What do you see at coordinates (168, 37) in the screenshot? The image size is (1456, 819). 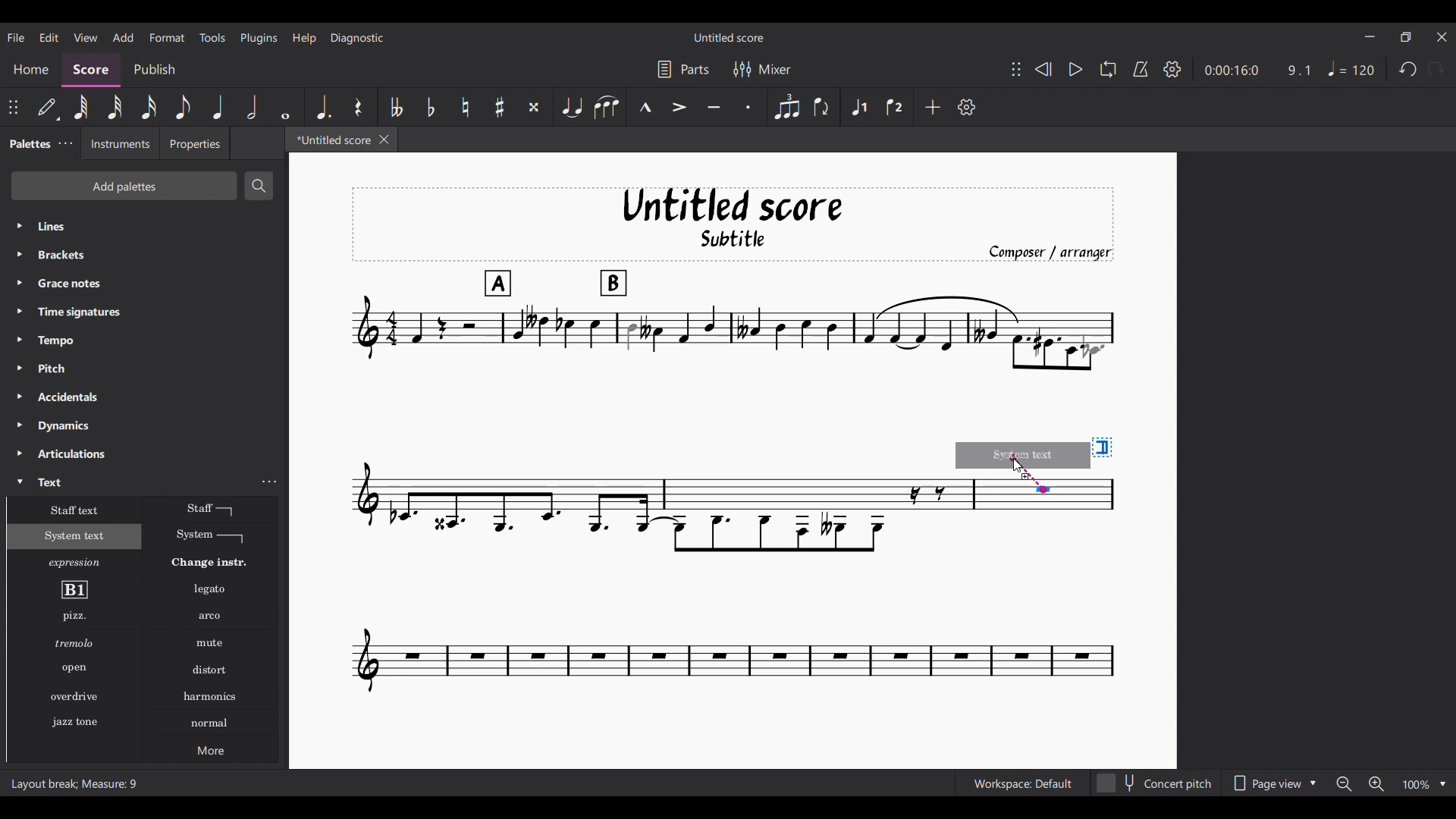 I see `Format menu` at bounding box center [168, 37].